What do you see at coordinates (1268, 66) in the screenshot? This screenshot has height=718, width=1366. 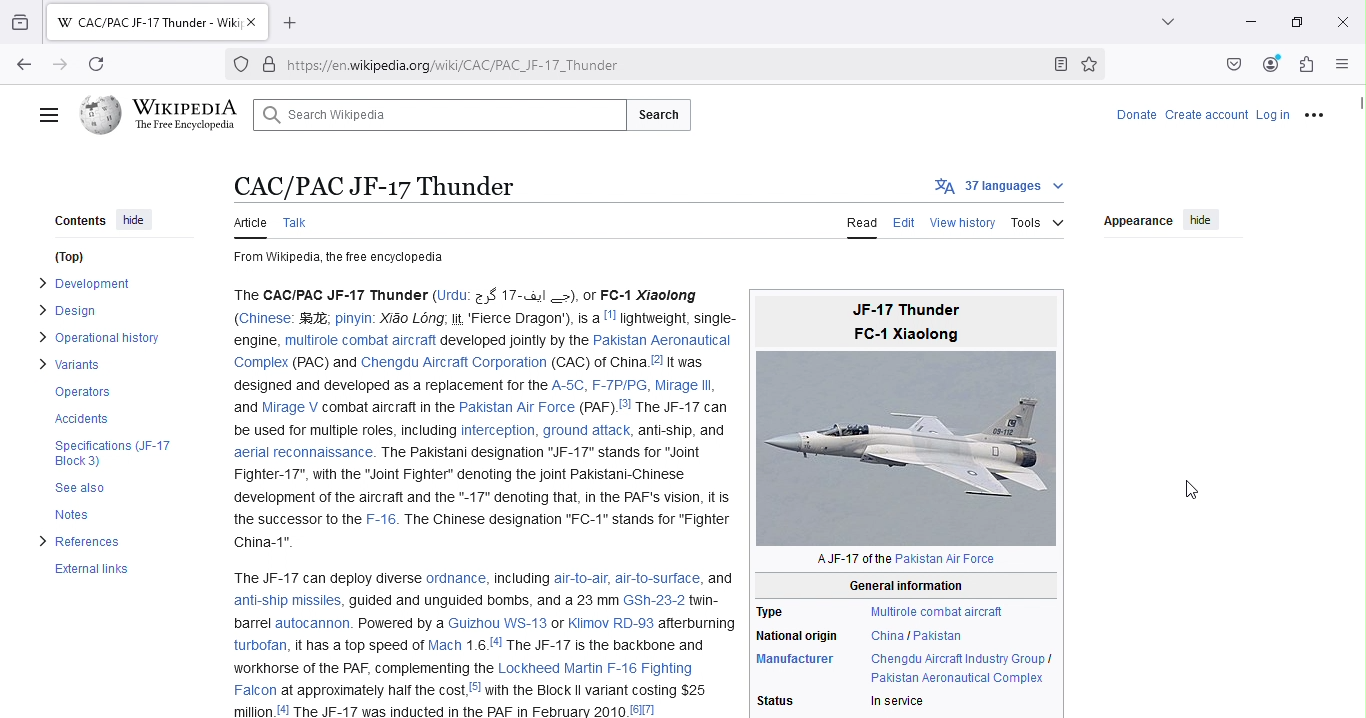 I see `Account` at bounding box center [1268, 66].